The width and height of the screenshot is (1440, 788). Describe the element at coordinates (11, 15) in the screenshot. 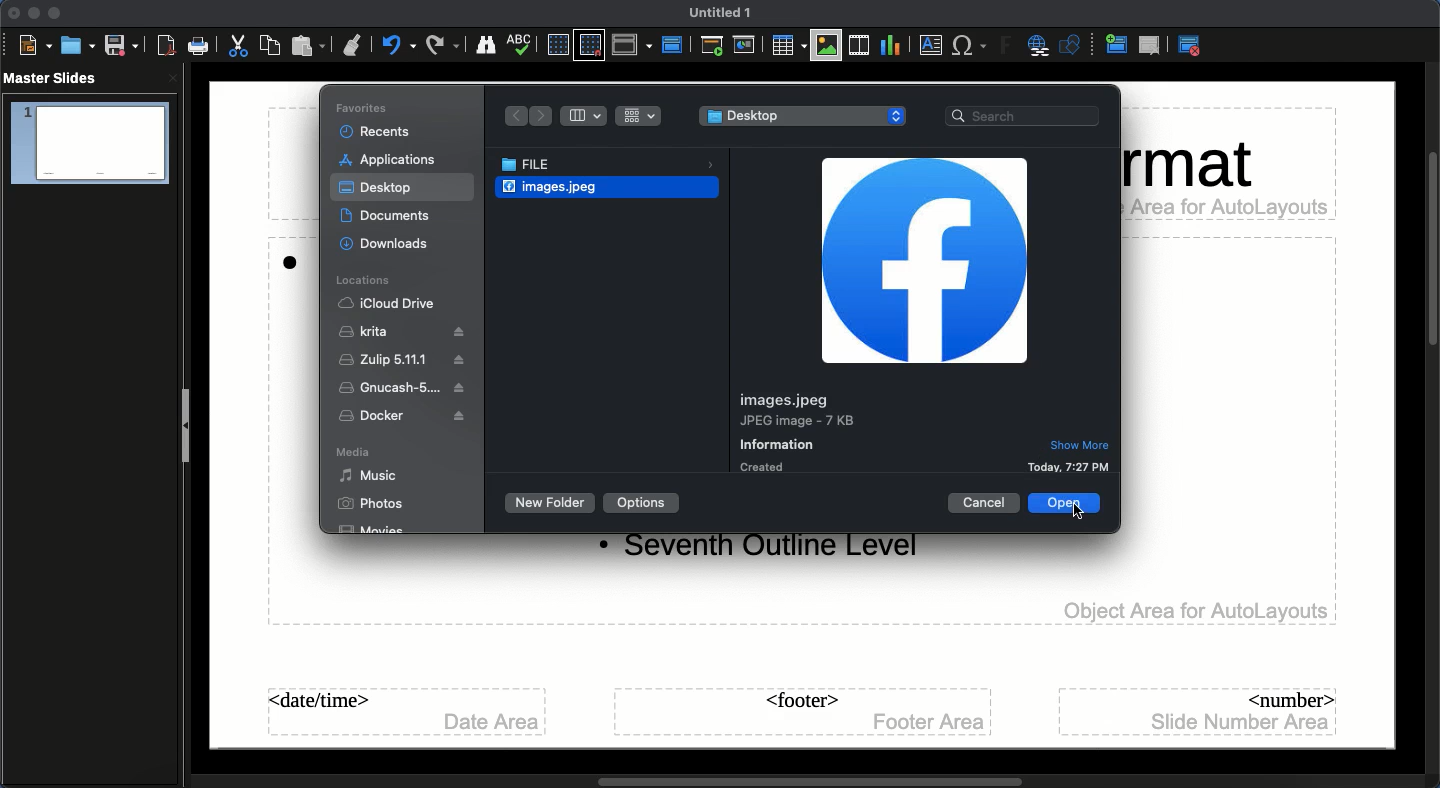

I see `Close` at that location.